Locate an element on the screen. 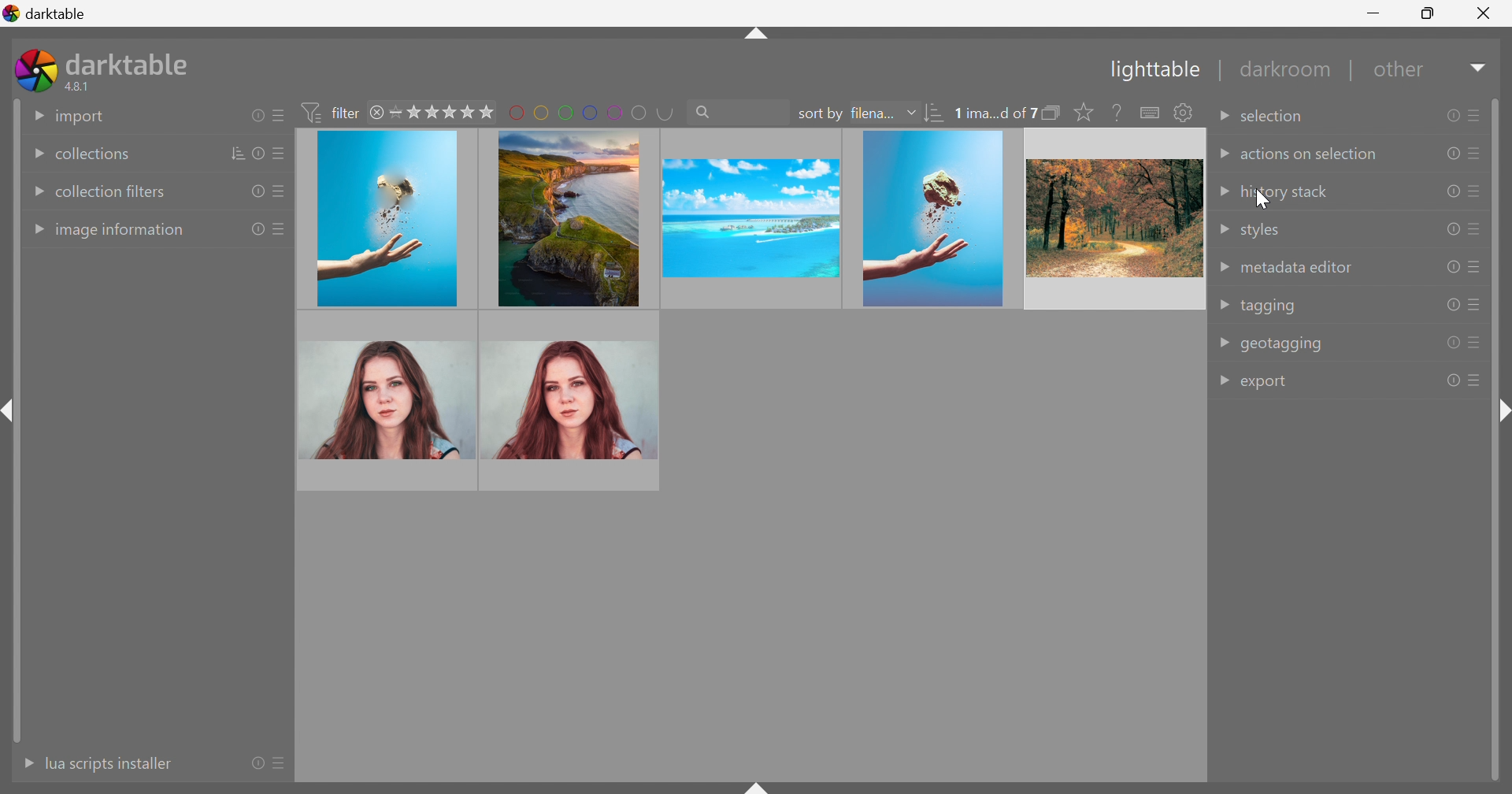 Image resolution: width=1512 pixels, height=794 pixels. presets is located at coordinates (280, 228).